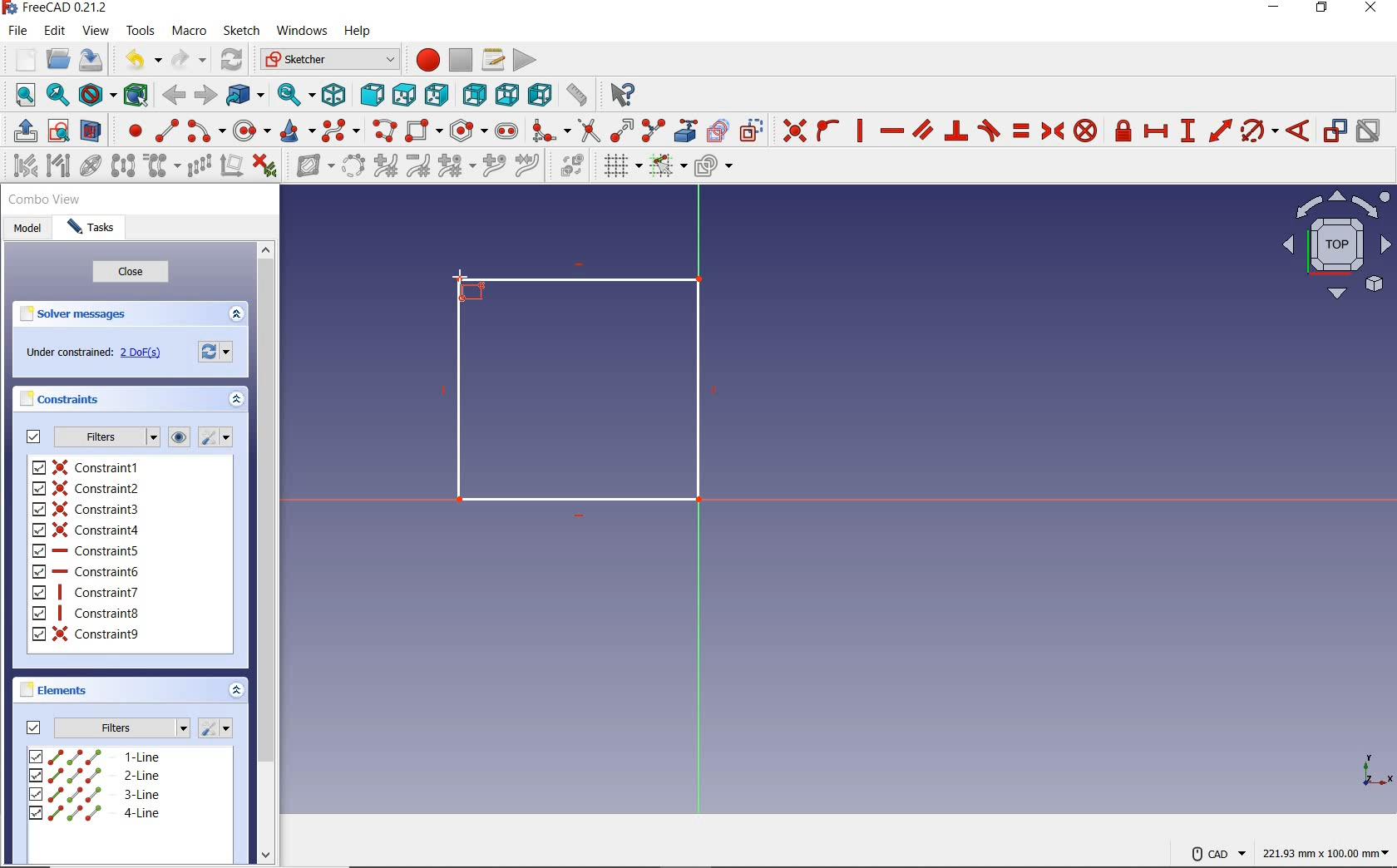  I want to click on constraint2, so click(87, 487).